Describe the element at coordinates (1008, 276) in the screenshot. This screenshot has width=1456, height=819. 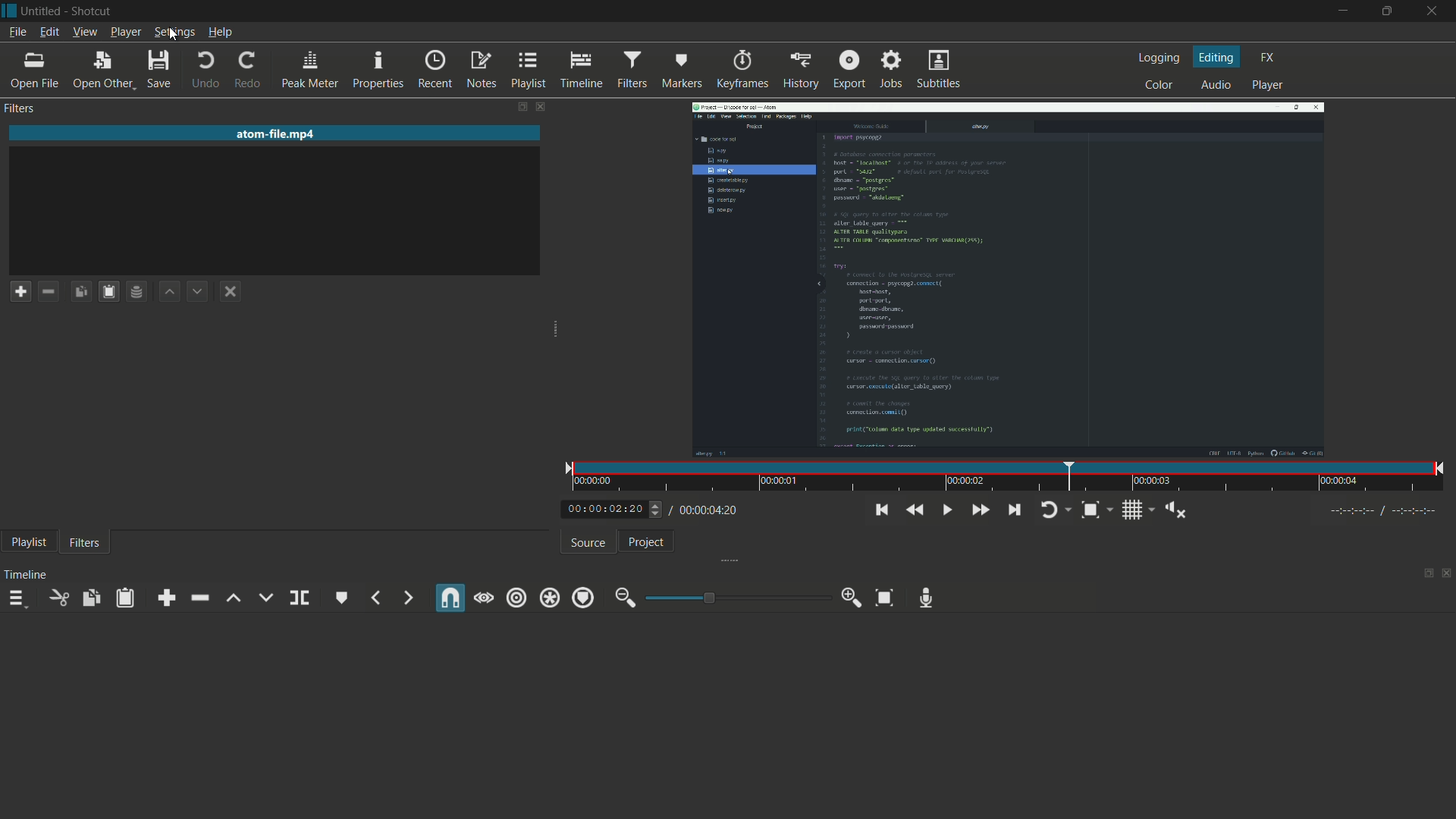
I see `imported video` at that location.